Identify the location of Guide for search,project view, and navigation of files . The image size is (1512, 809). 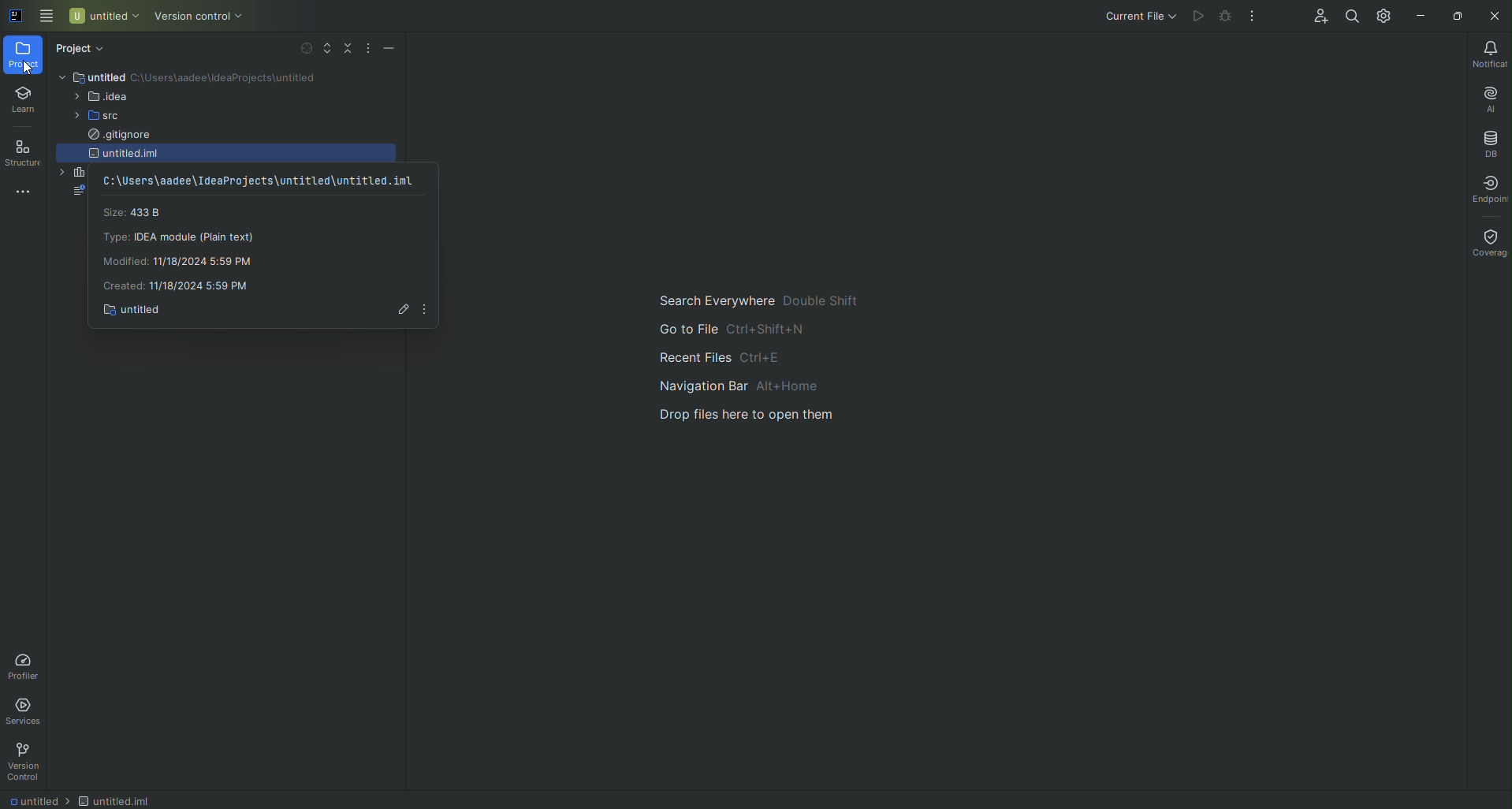
(775, 386).